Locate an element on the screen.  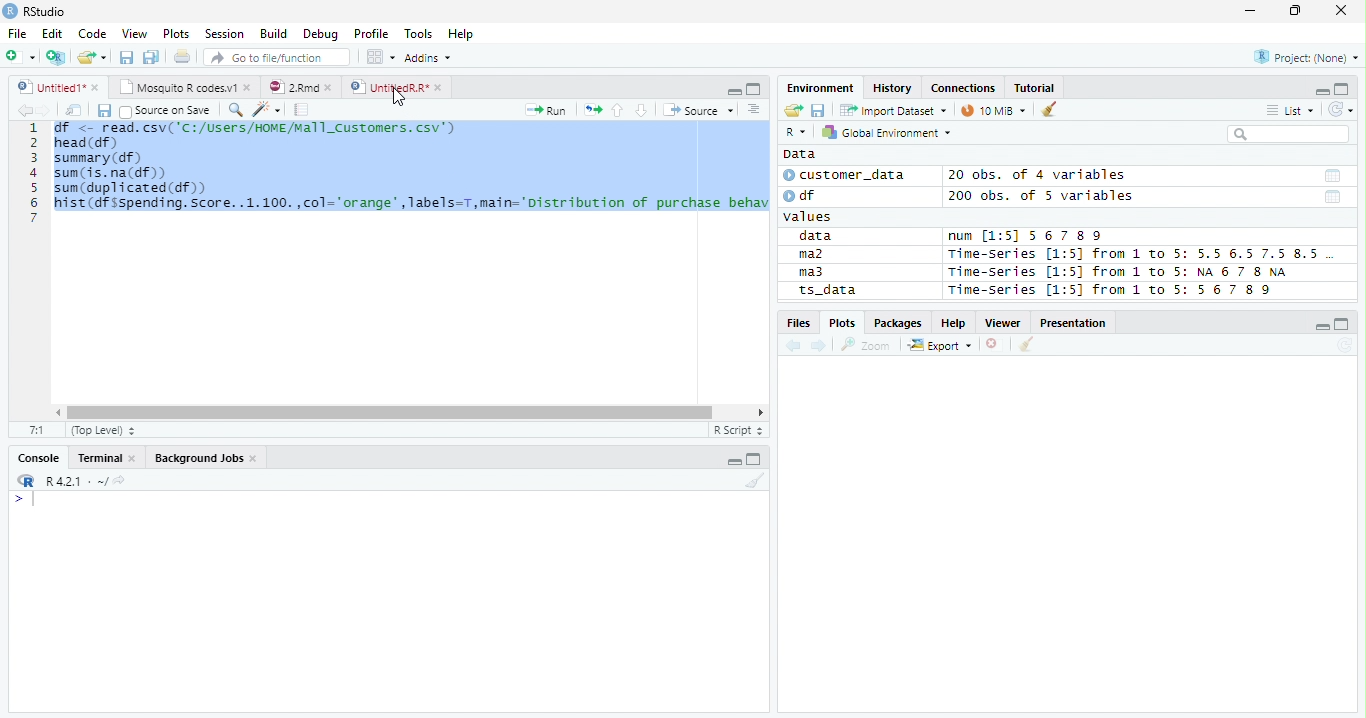
2.Rmd is located at coordinates (302, 88).